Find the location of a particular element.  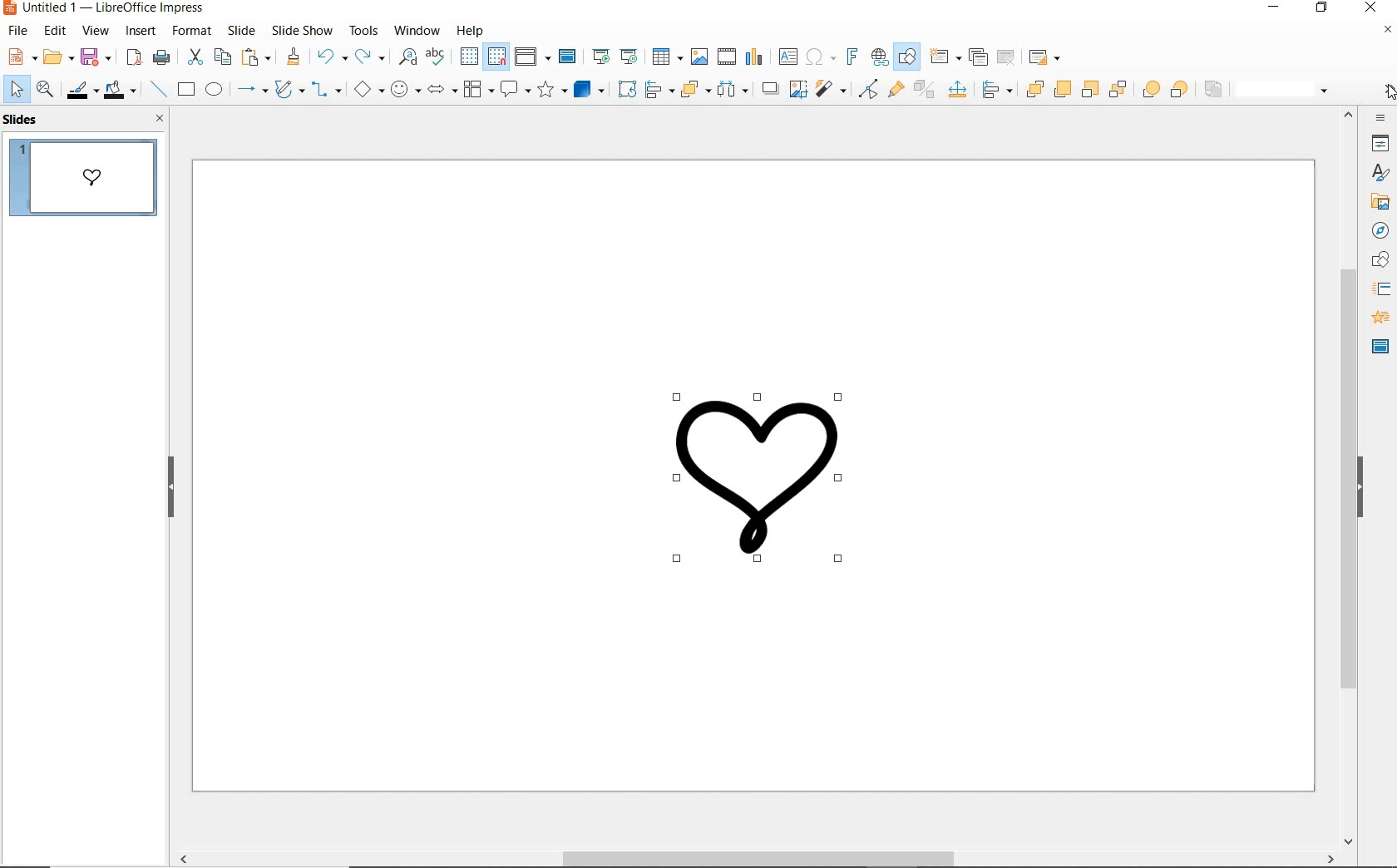

insert hyperlink is located at coordinates (880, 57).